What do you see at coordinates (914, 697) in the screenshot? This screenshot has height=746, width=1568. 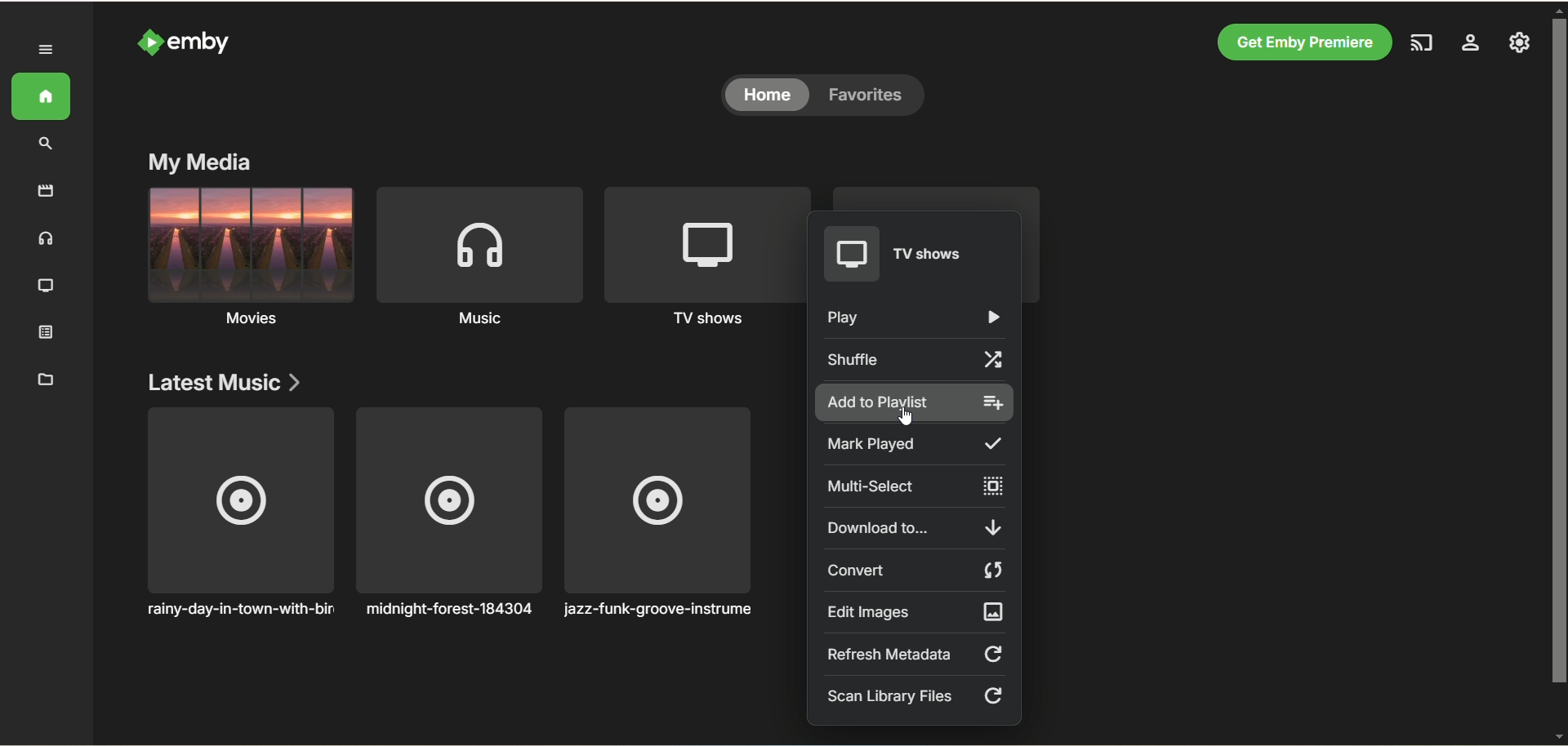 I see `scan library files` at bounding box center [914, 697].